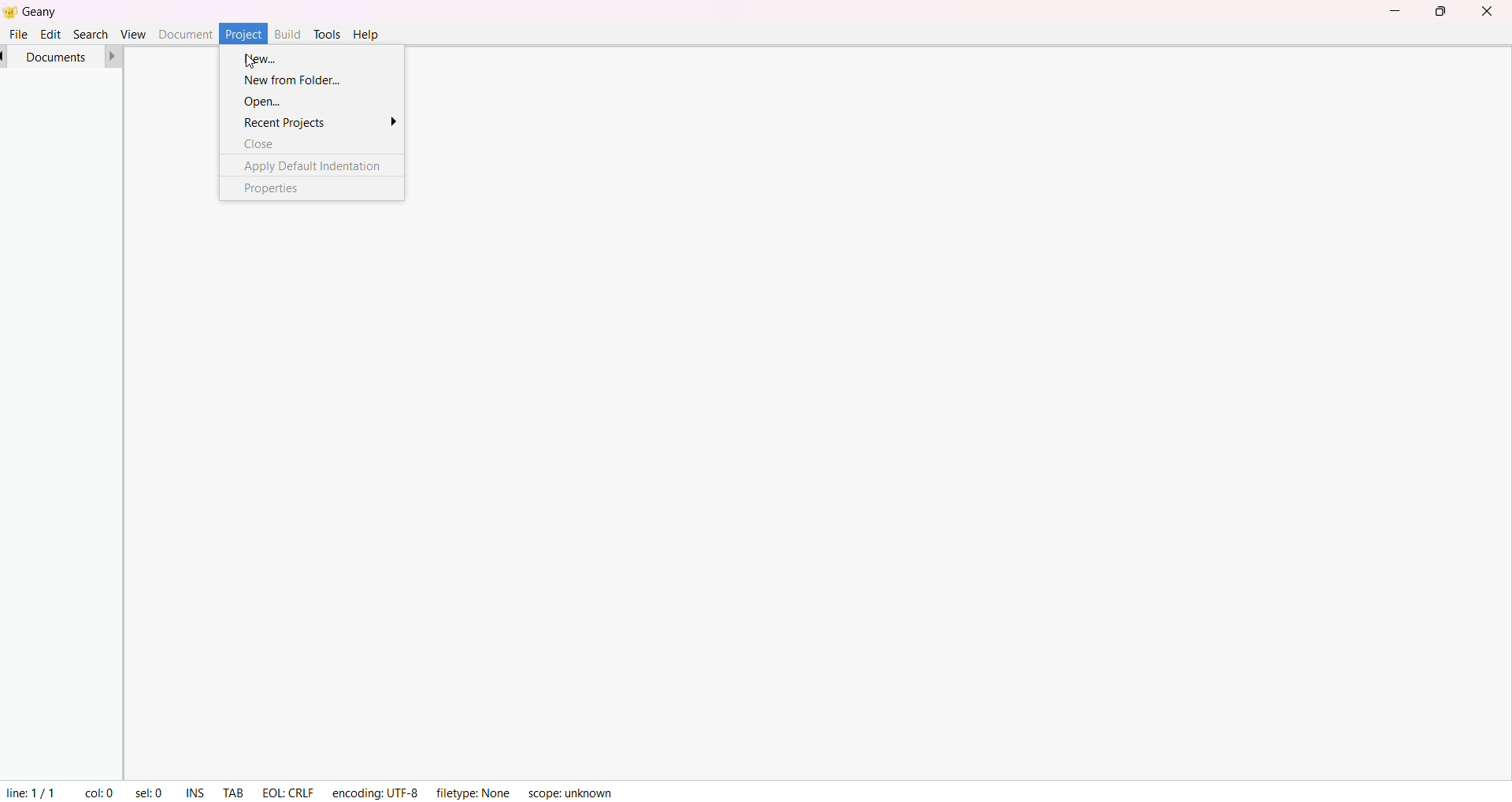 Image resolution: width=1512 pixels, height=802 pixels. I want to click on forward, so click(113, 56).